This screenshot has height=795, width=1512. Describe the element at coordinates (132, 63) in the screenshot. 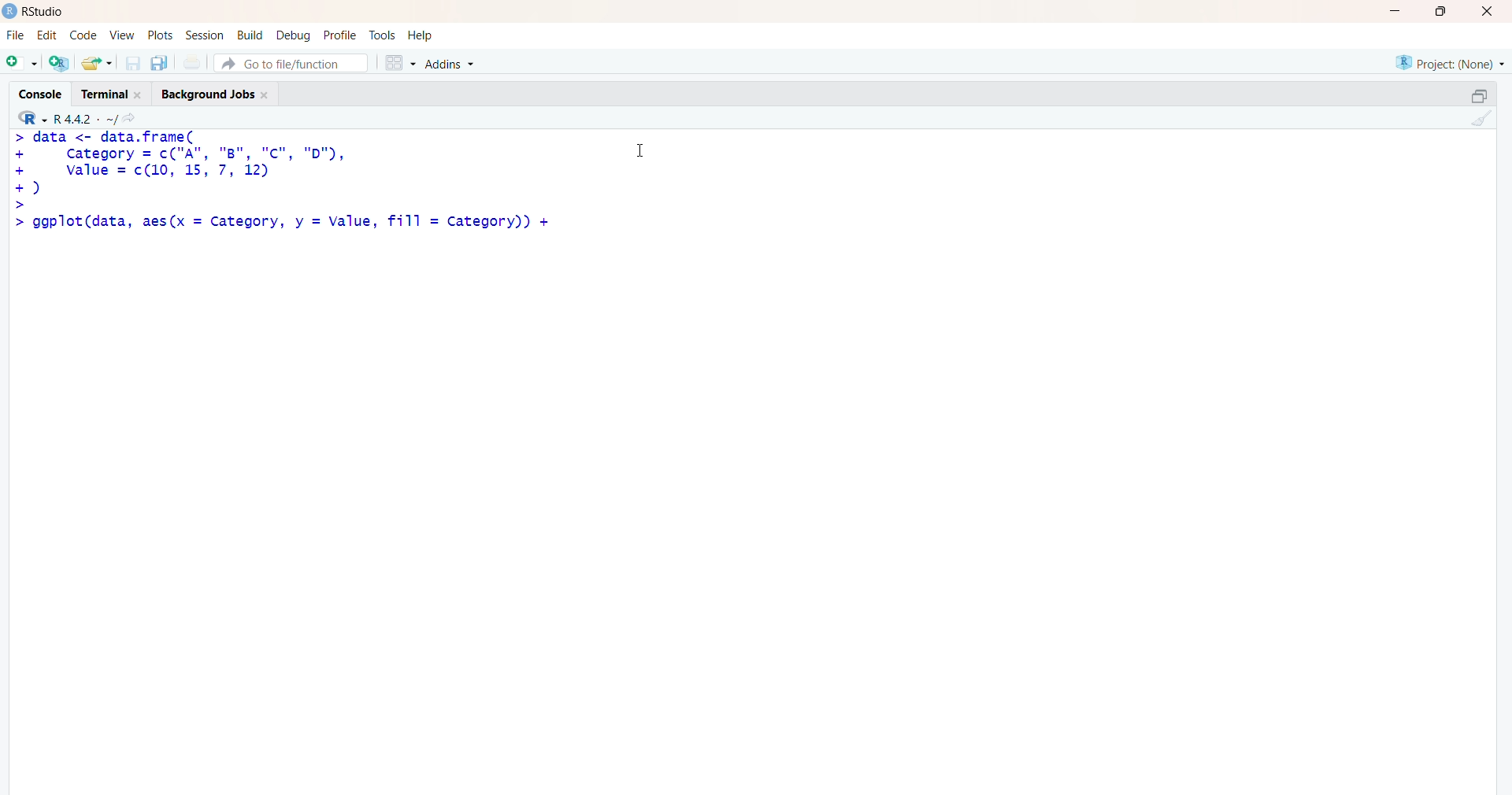

I see `save current document` at that location.